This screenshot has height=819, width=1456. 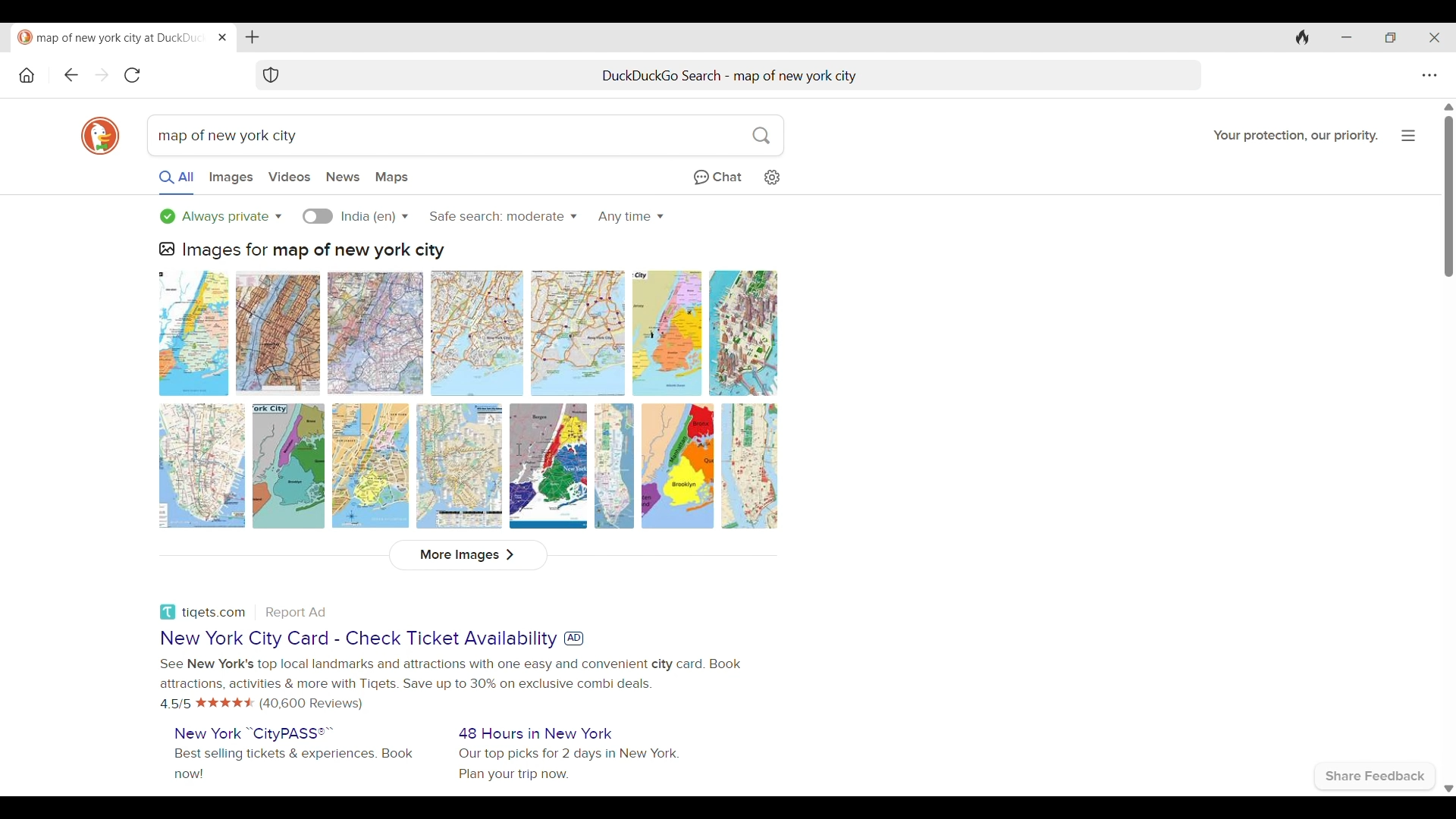 I want to click on Star rating received, so click(x=225, y=703).